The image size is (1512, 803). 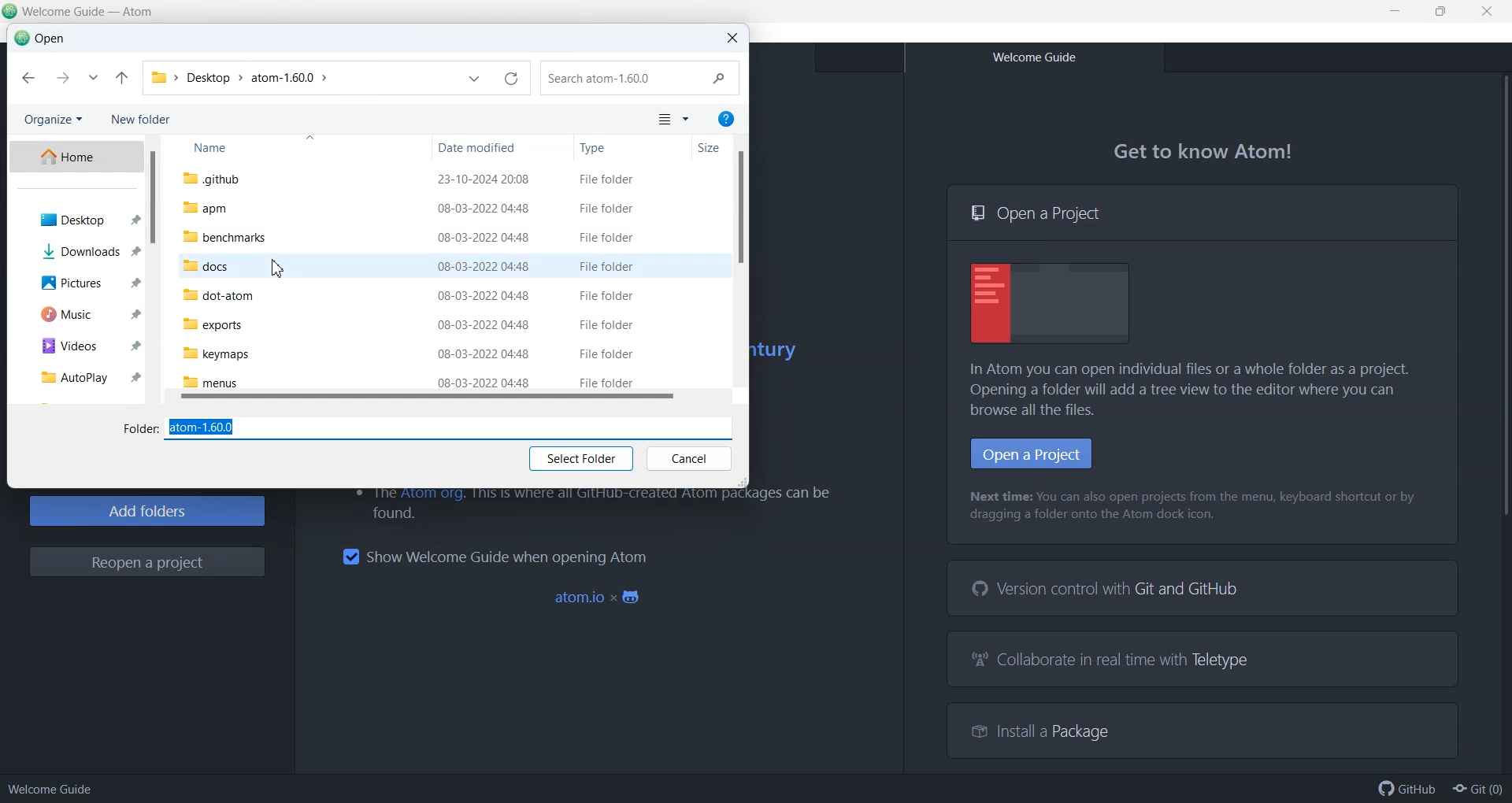 What do you see at coordinates (1203, 213) in the screenshot?
I see `Open a Project` at bounding box center [1203, 213].